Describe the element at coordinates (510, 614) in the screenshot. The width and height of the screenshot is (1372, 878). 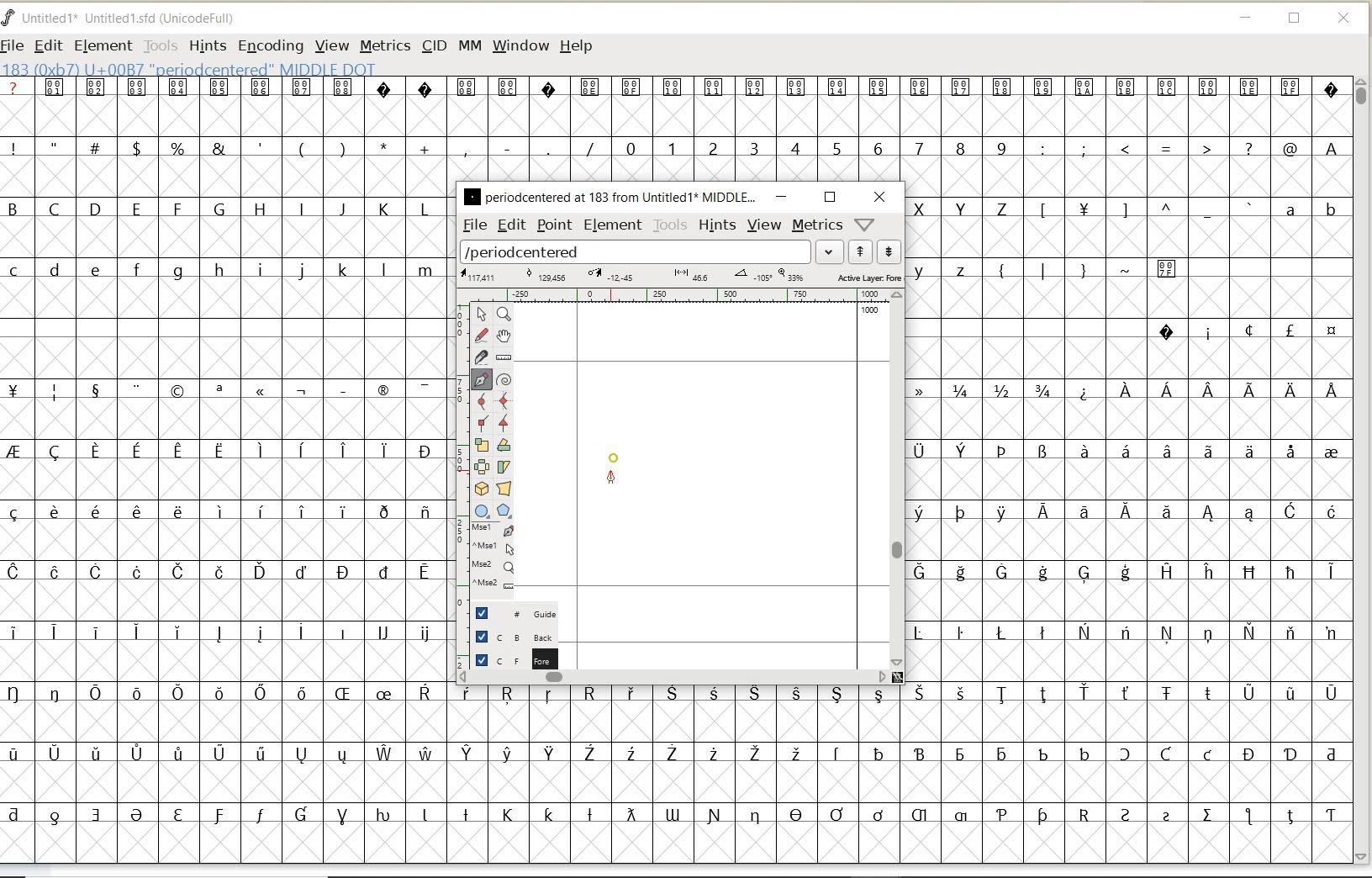
I see `guide` at that location.